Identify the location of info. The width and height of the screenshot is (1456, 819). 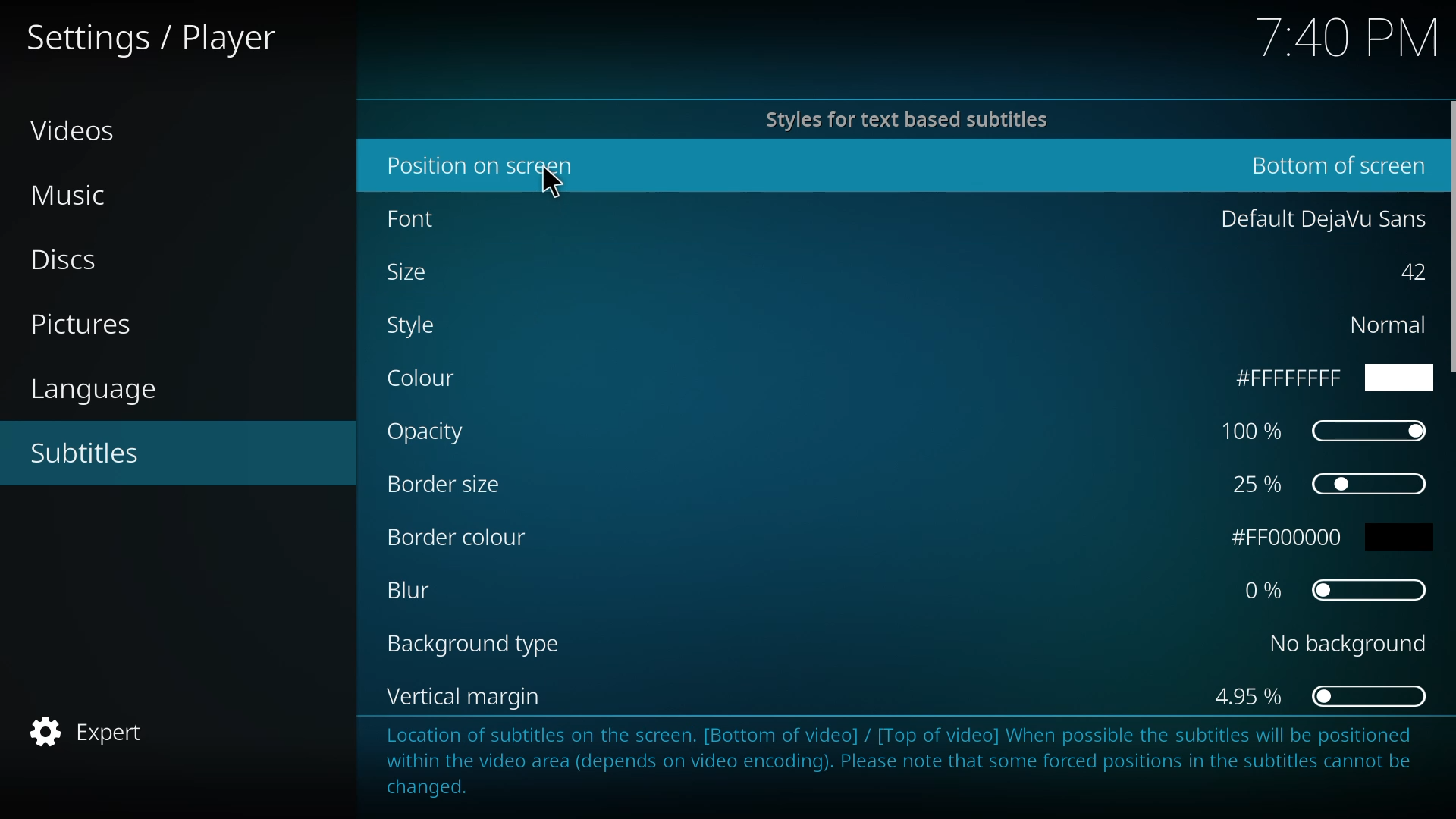
(894, 763).